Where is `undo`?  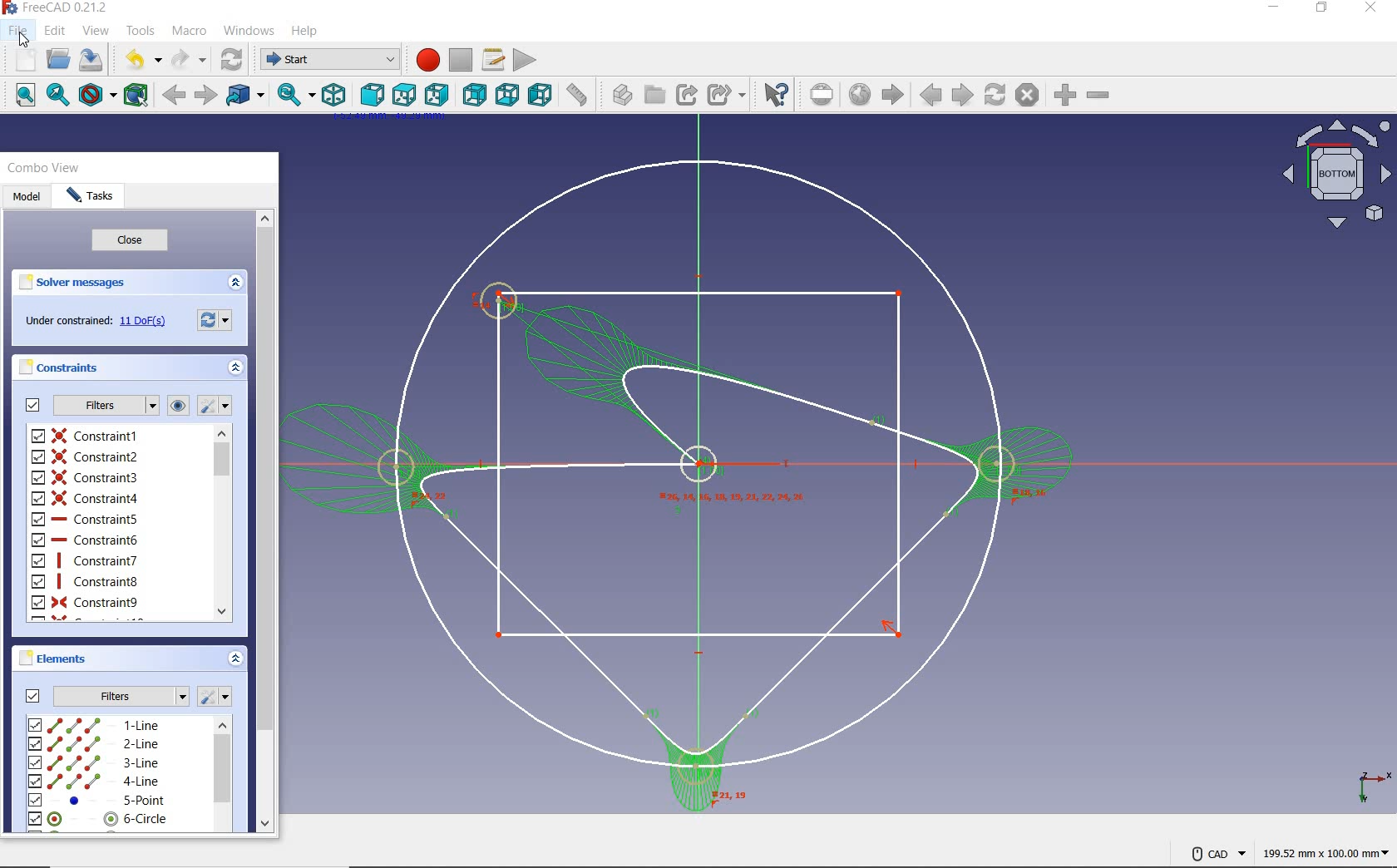 undo is located at coordinates (137, 58).